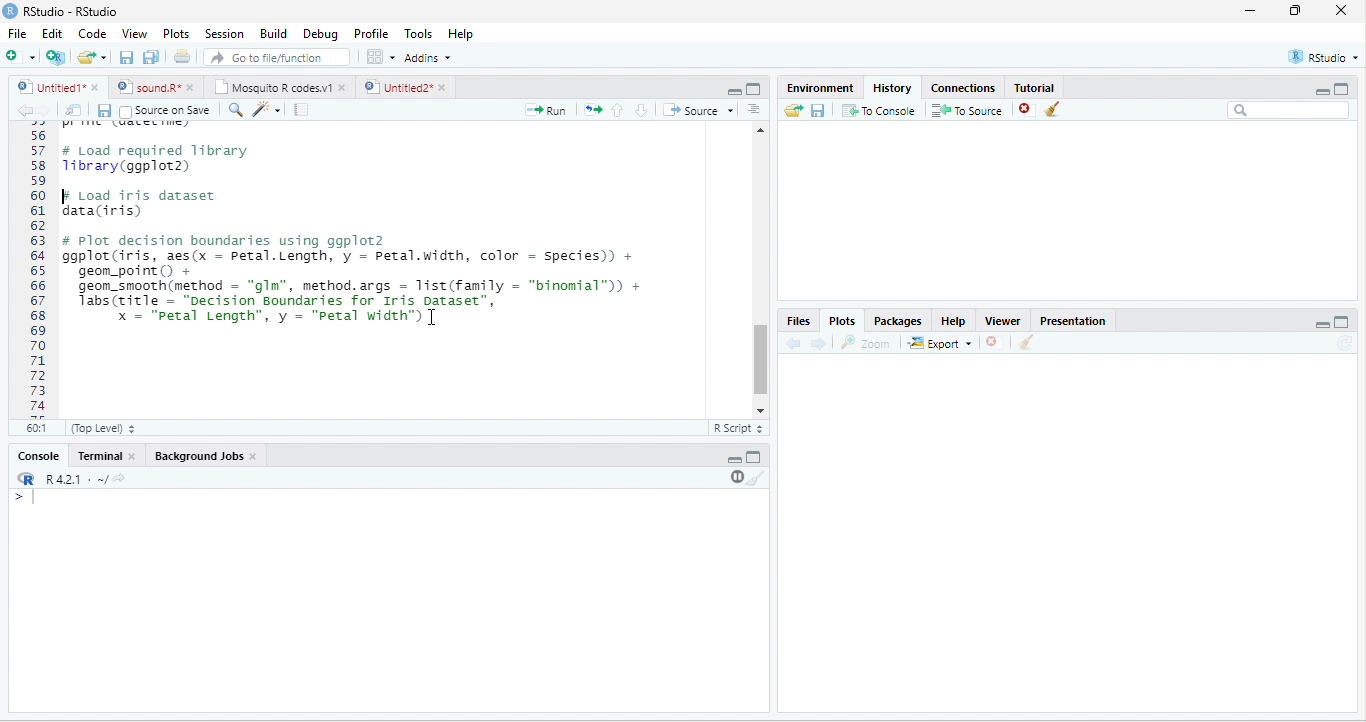 This screenshot has width=1366, height=722. I want to click on options, so click(754, 109).